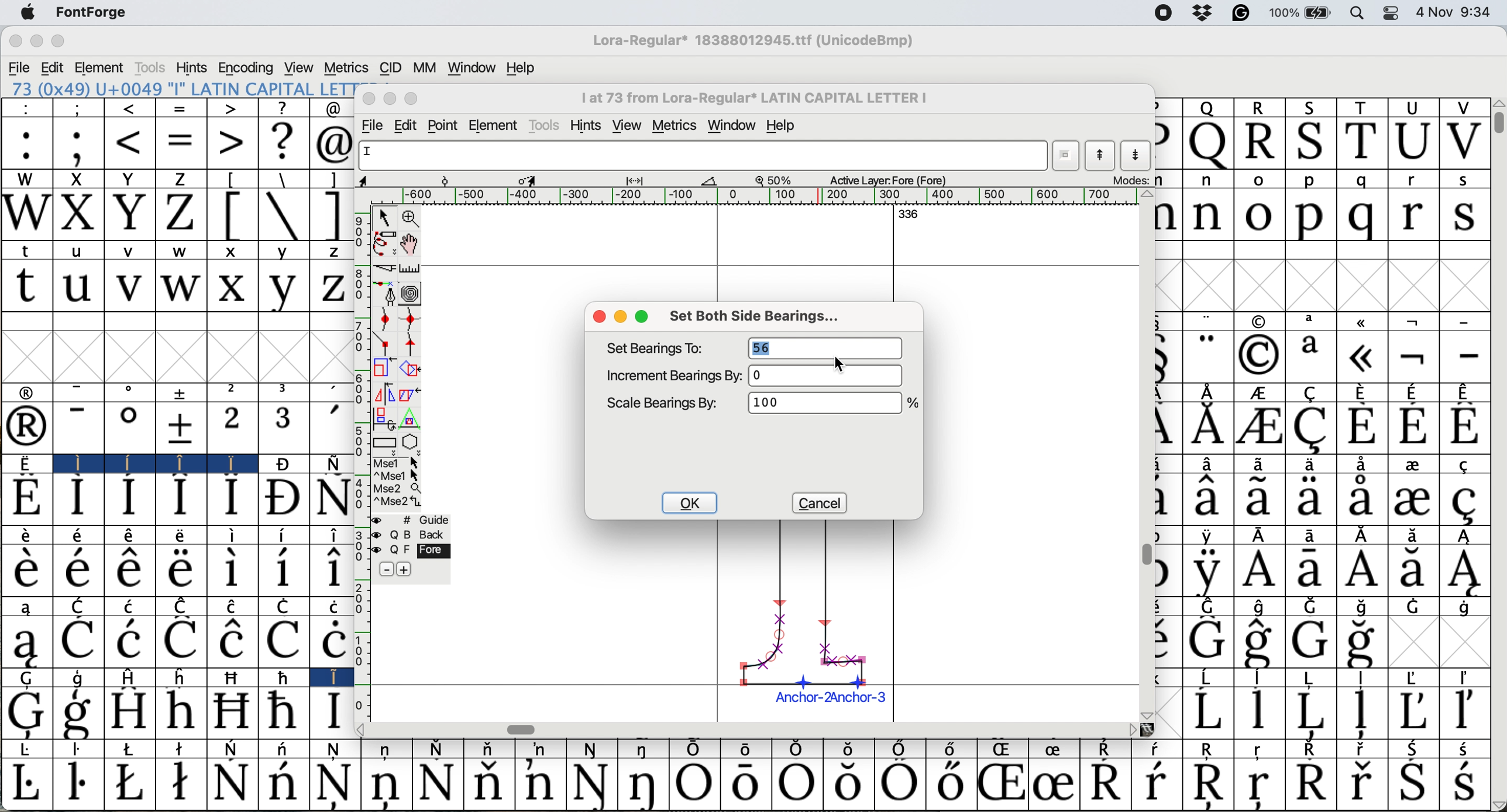  What do you see at coordinates (1207, 107) in the screenshot?
I see `Q` at bounding box center [1207, 107].